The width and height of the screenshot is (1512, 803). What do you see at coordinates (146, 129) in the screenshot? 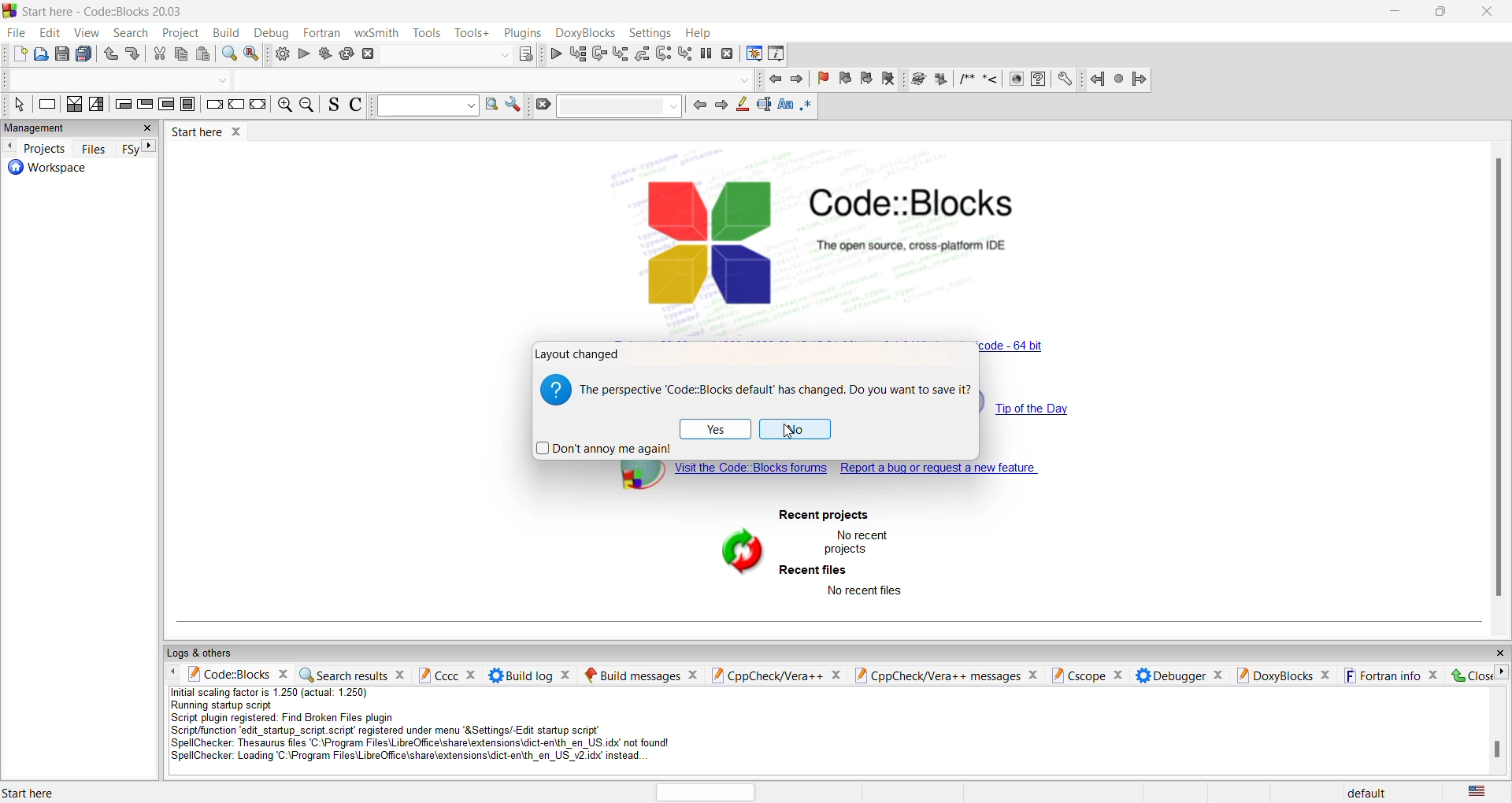
I see `close management tab` at bounding box center [146, 129].